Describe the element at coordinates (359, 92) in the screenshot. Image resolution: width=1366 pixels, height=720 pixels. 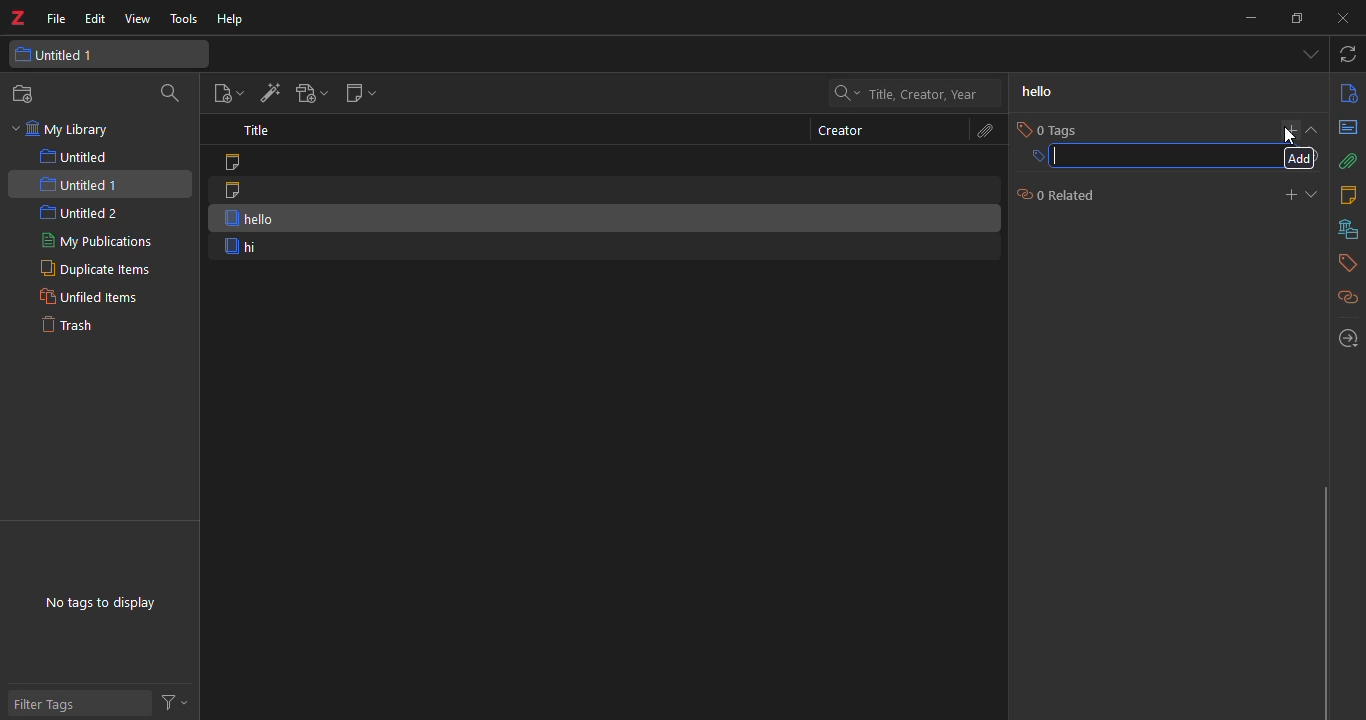
I see `new note` at that location.